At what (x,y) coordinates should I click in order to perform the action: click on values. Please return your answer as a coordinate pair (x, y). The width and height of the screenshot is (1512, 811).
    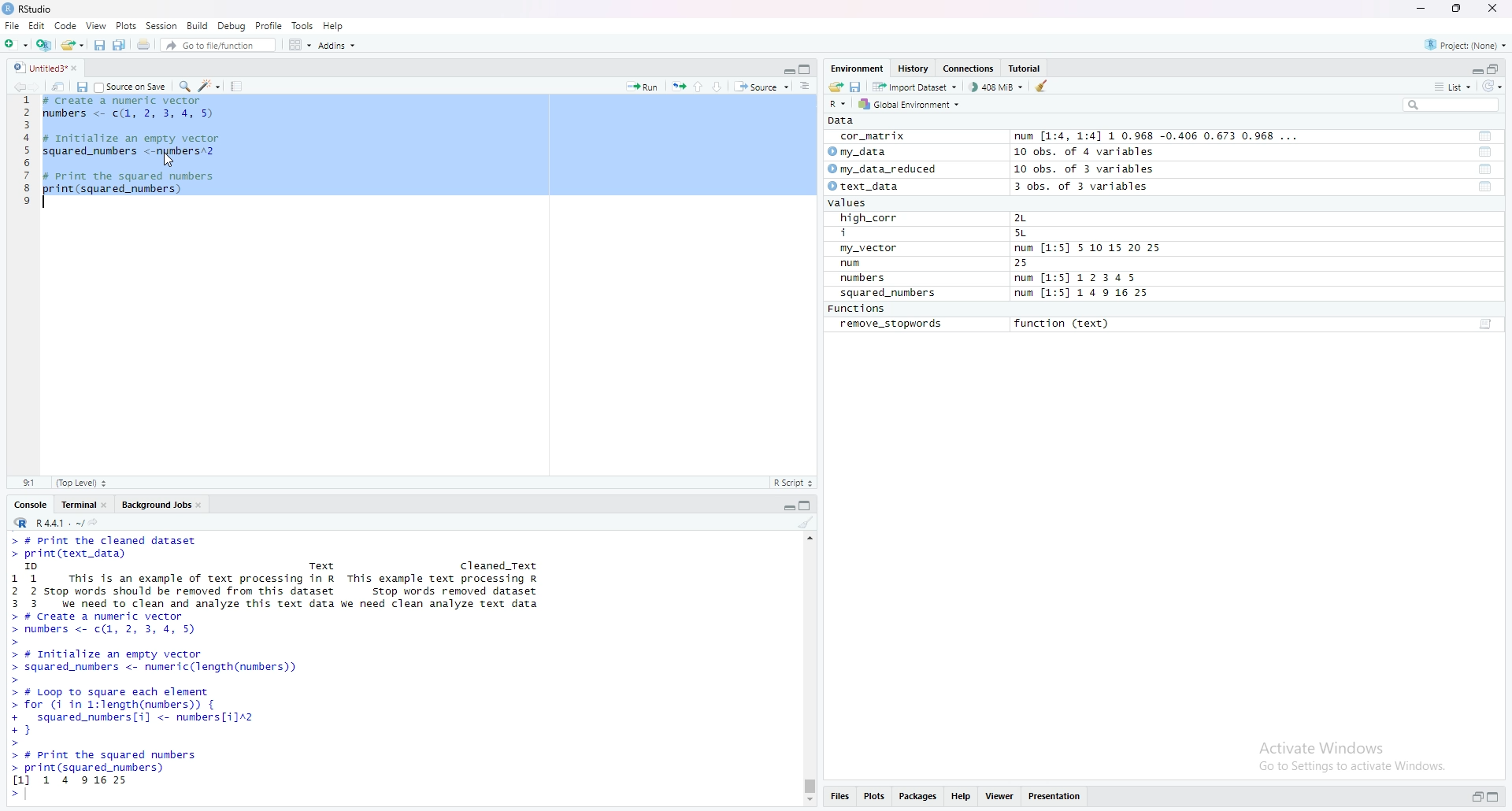
    Looking at the image, I should click on (852, 204).